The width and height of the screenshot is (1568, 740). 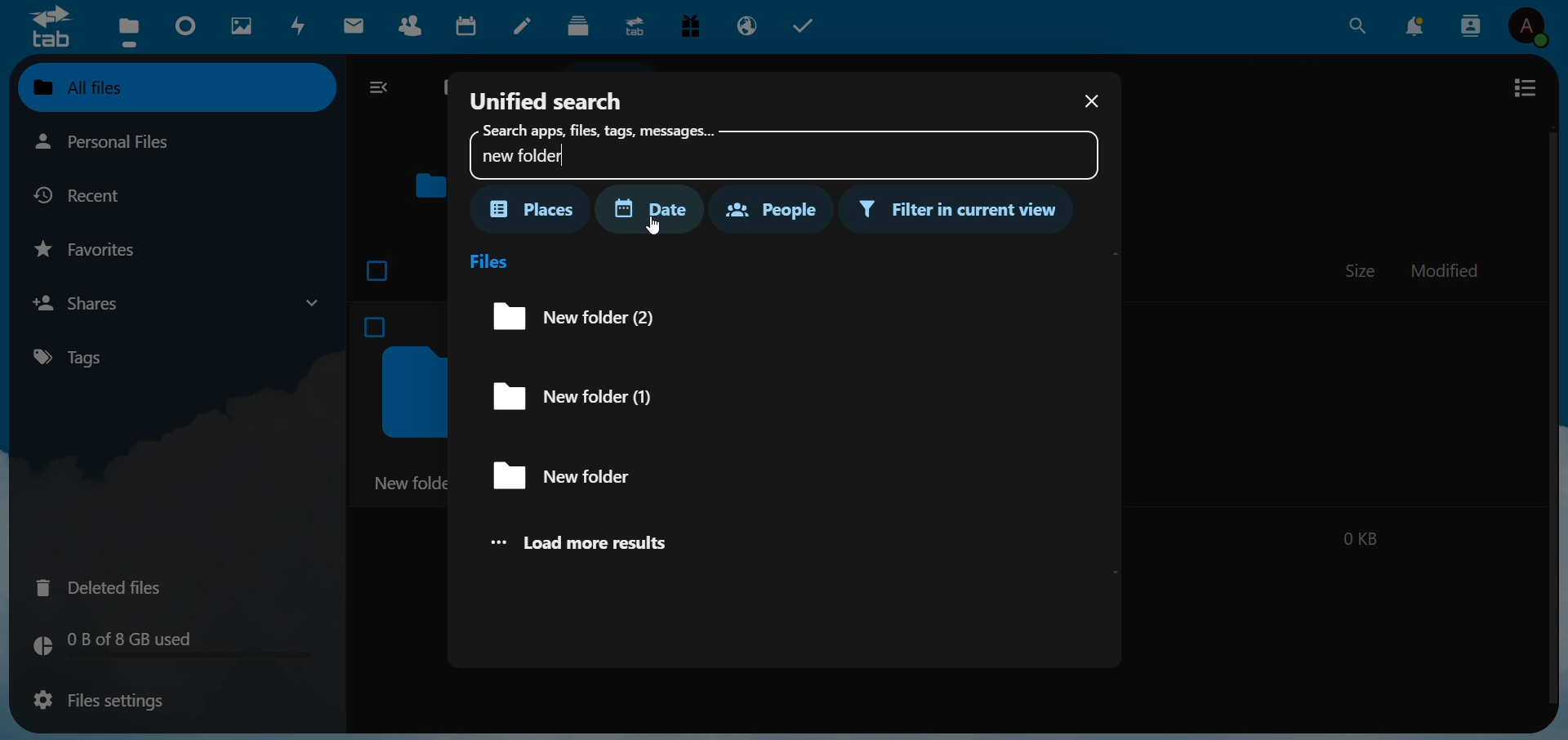 What do you see at coordinates (175, 302) in the screenshot?
I see `shares` at bounding box center [175, 302].